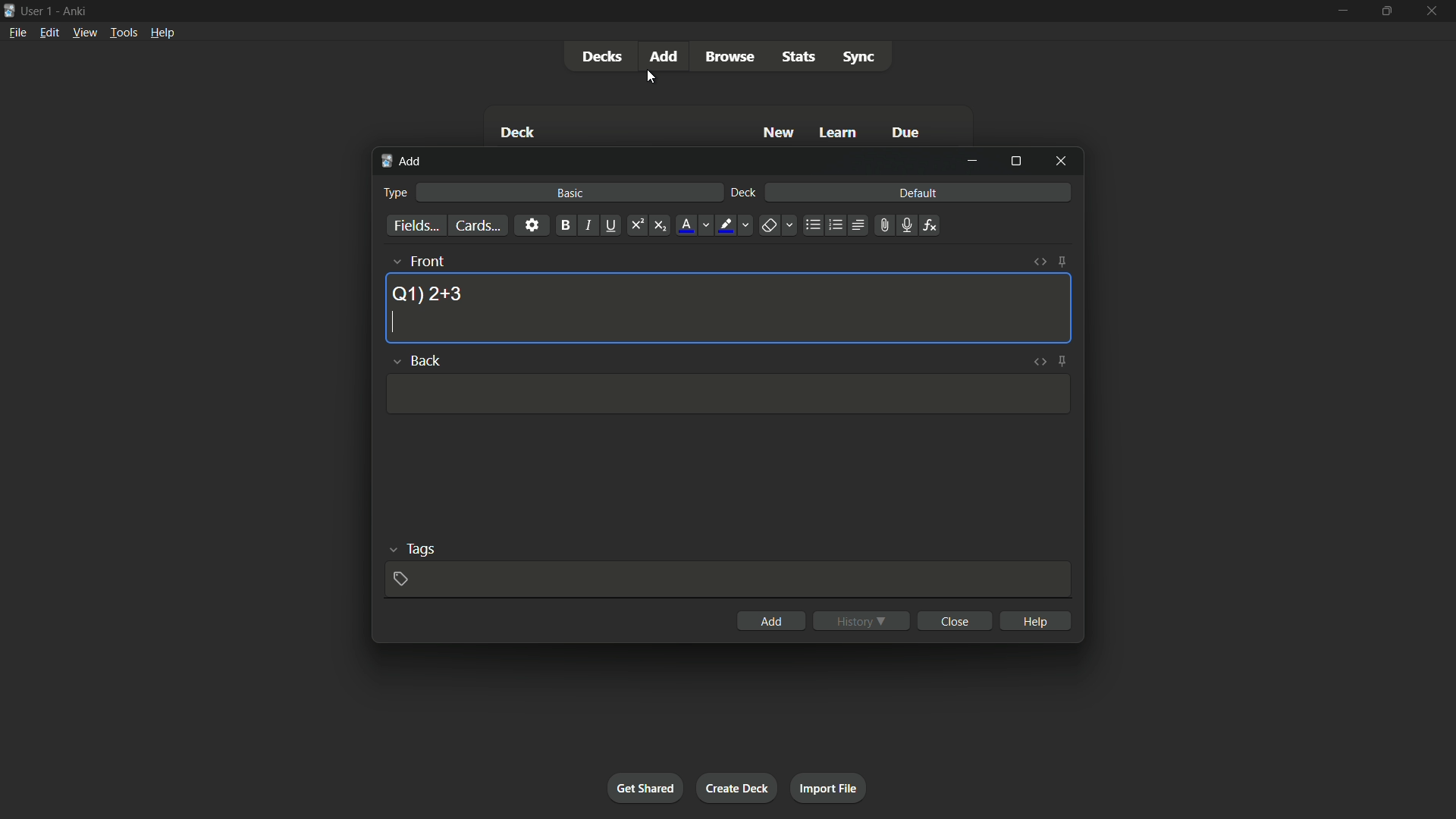 Image resolution: width=1456 pixels, height=819 pixels. What do you see at coordinates (50, 32) in the screenshot?
I see `edit menu` at bounding box center [50, 32].